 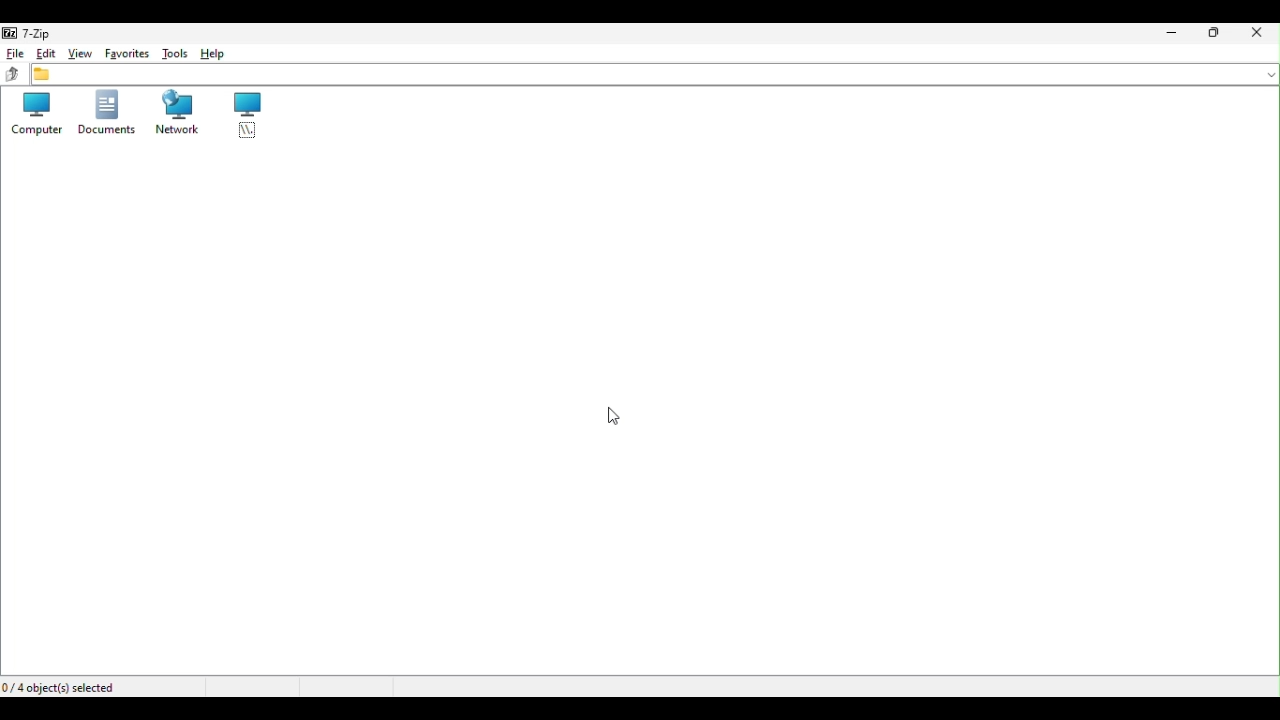 What do you see at coordinates (655, 74) in the screenshot?
I see `File address bar` at bounding box center [655, 74].